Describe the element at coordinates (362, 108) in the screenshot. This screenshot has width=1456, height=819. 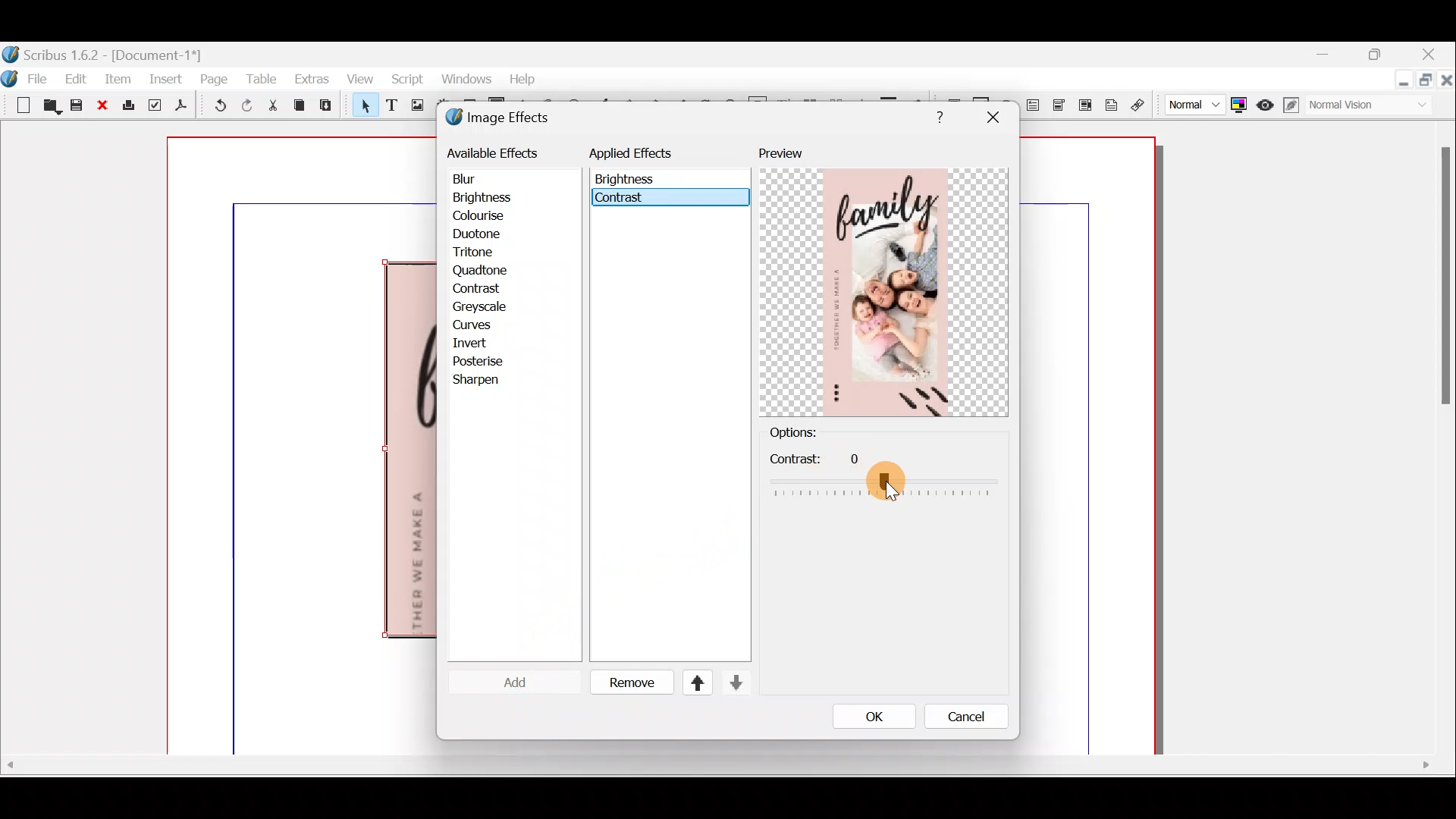
I see `Select item` at that location.